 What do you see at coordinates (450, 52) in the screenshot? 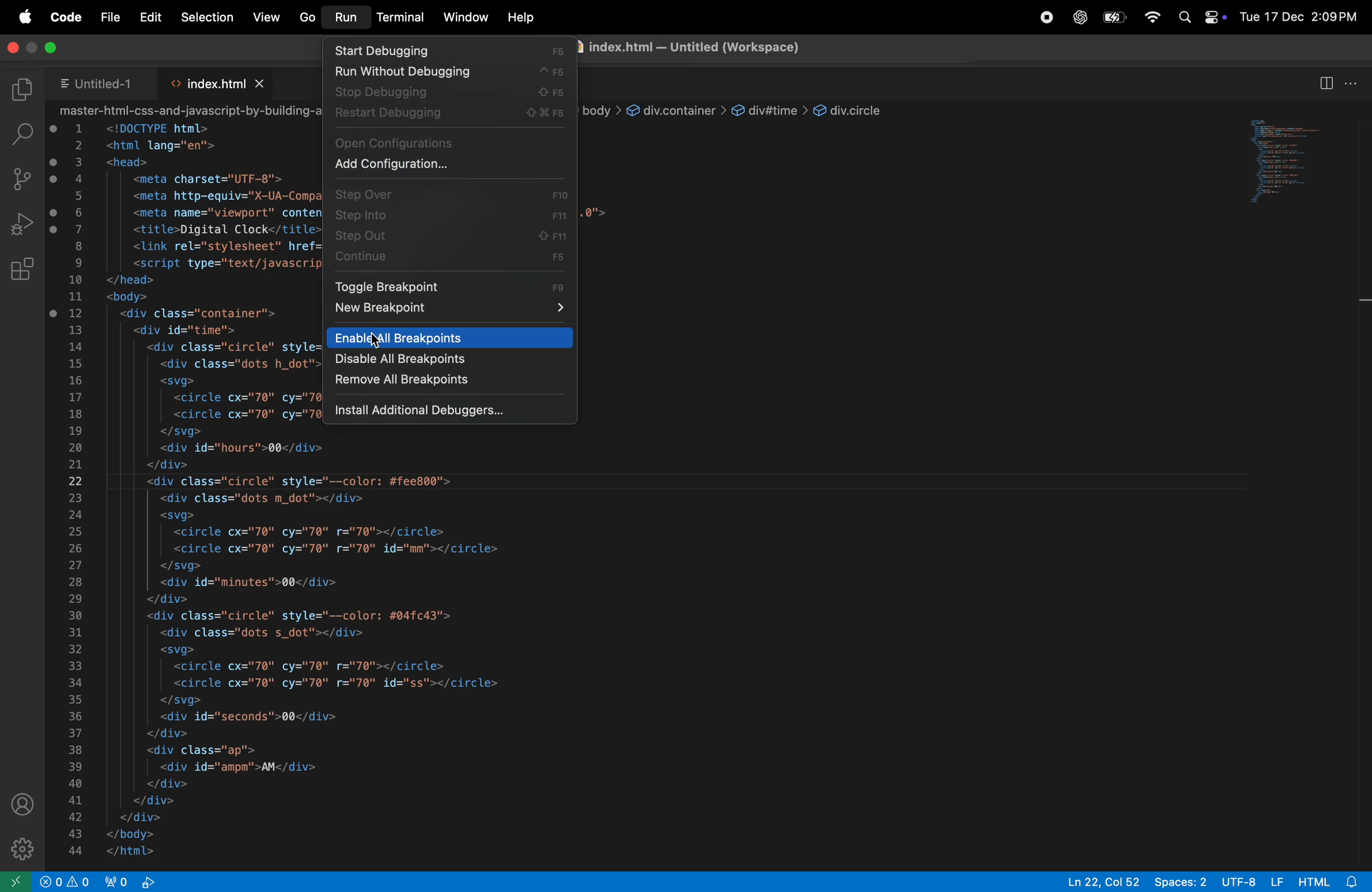
I see `start debbuging` at bounding box center [450, 52].